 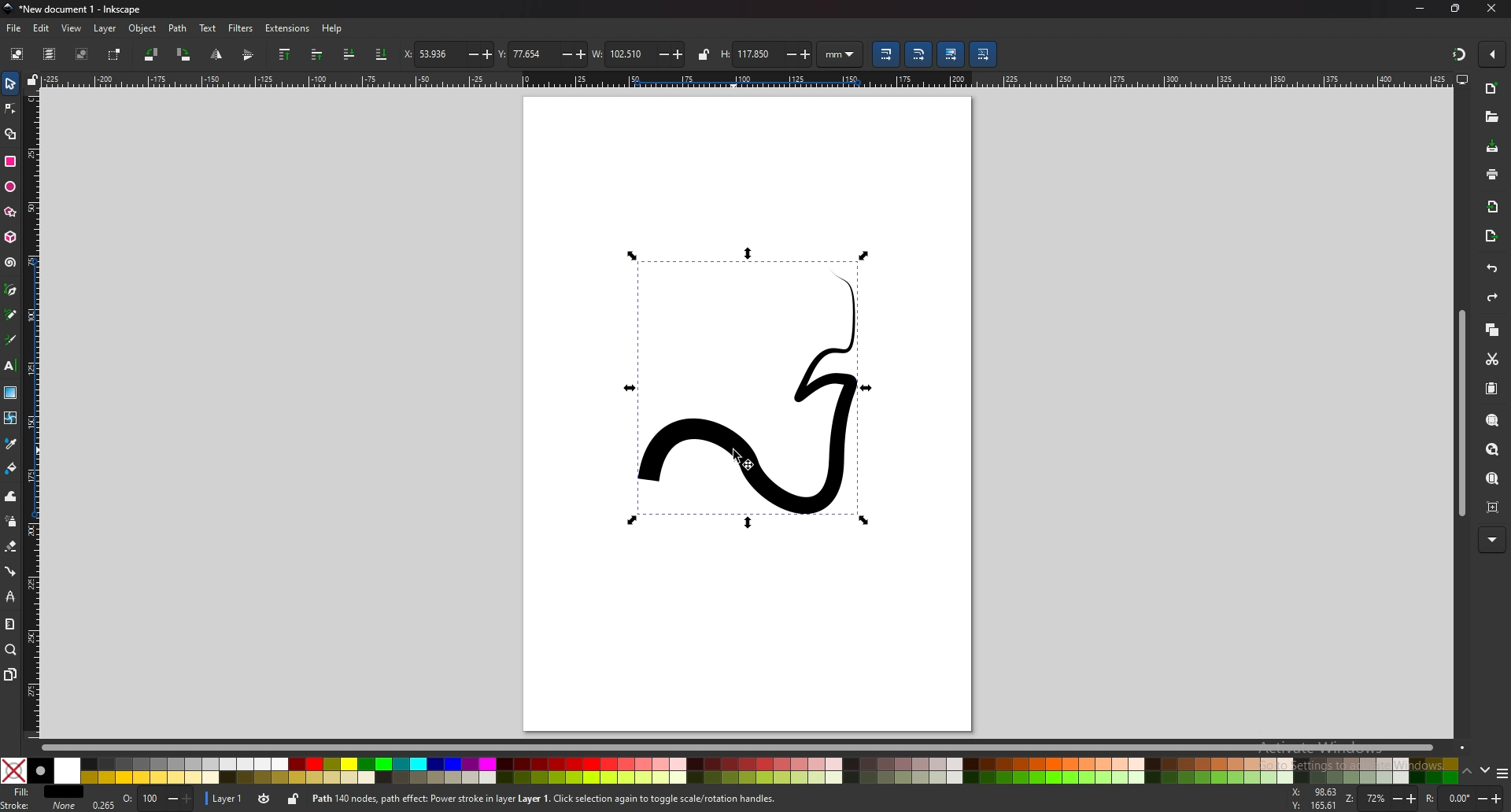 I want to click on zoom, so click(x=10, y=650).